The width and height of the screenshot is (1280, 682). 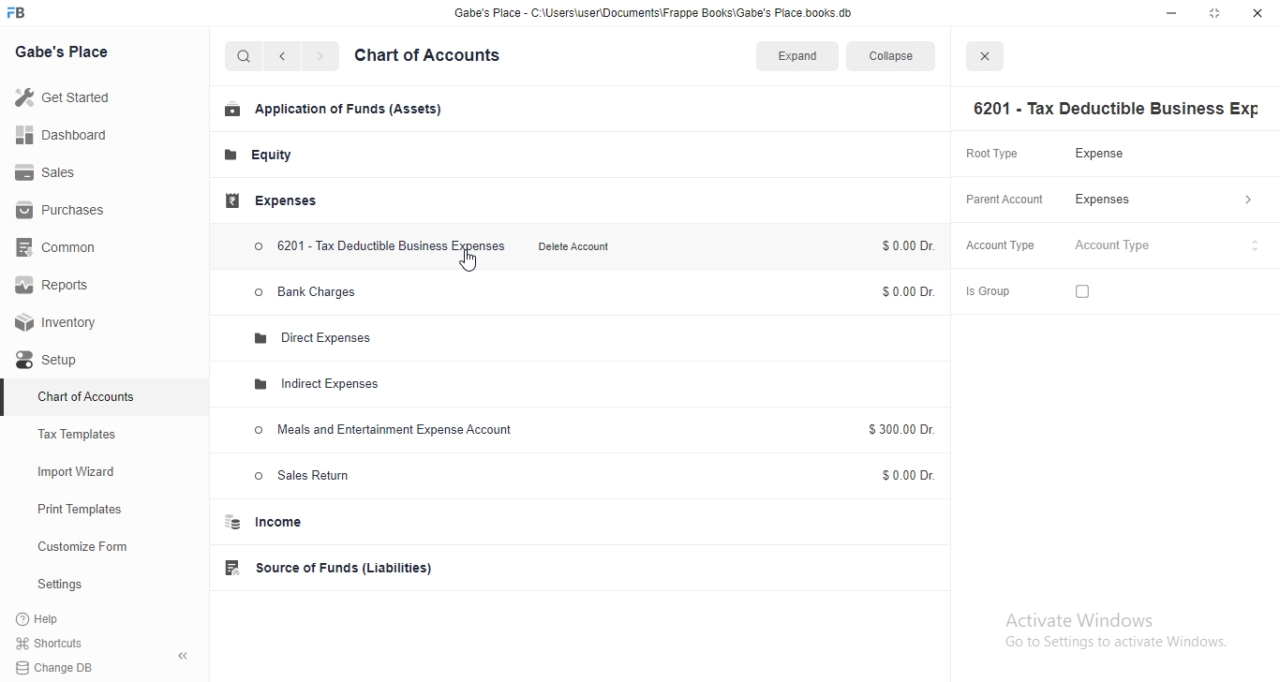 What do you see at coordinates (326, 382) in the screenshot?
I see `Indirect Expenses` at bounding box center [326, 382].